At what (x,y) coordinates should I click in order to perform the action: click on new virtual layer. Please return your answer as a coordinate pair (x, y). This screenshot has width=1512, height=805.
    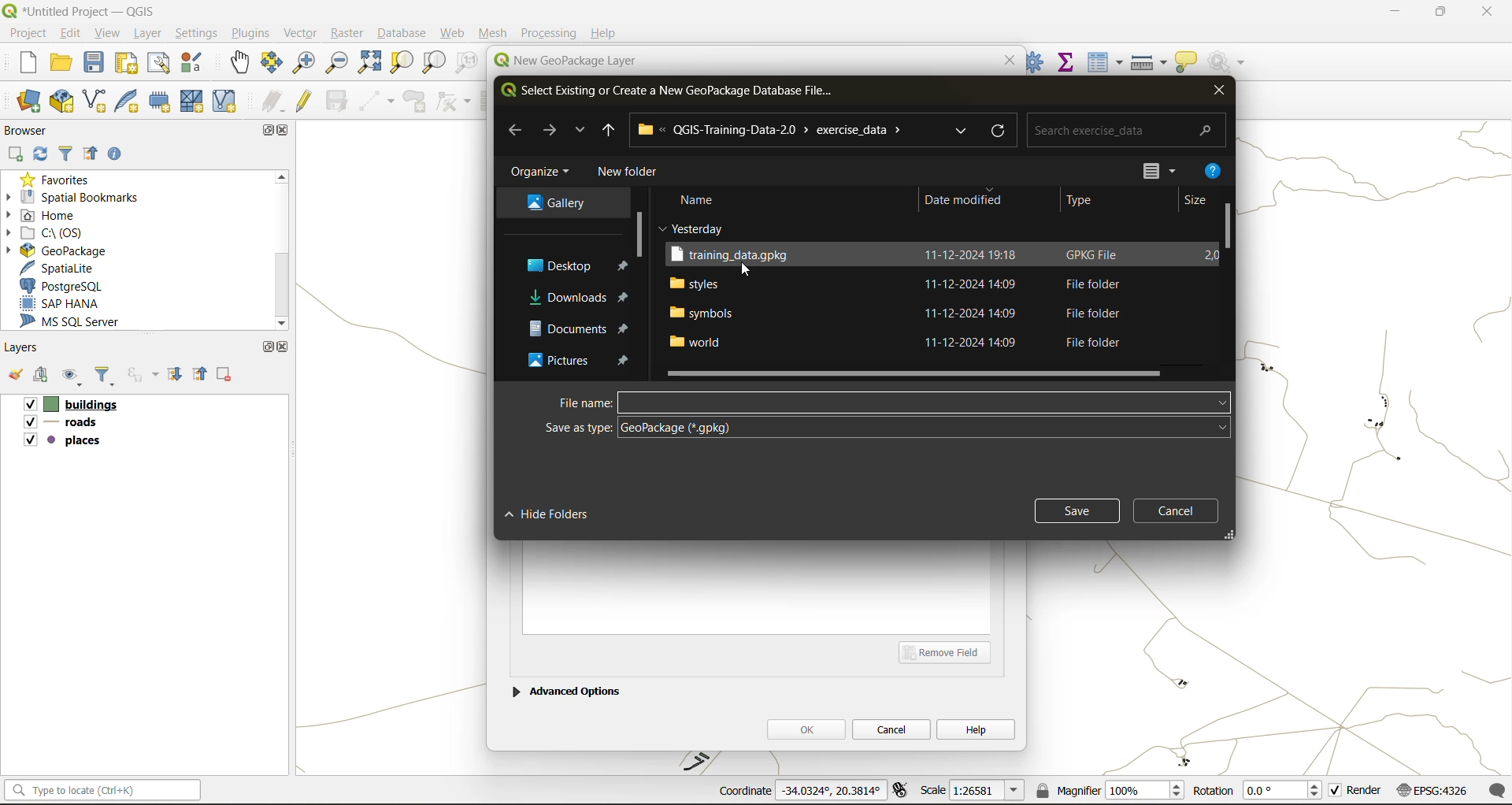
    Looking at the image, I should click on (224, 102).